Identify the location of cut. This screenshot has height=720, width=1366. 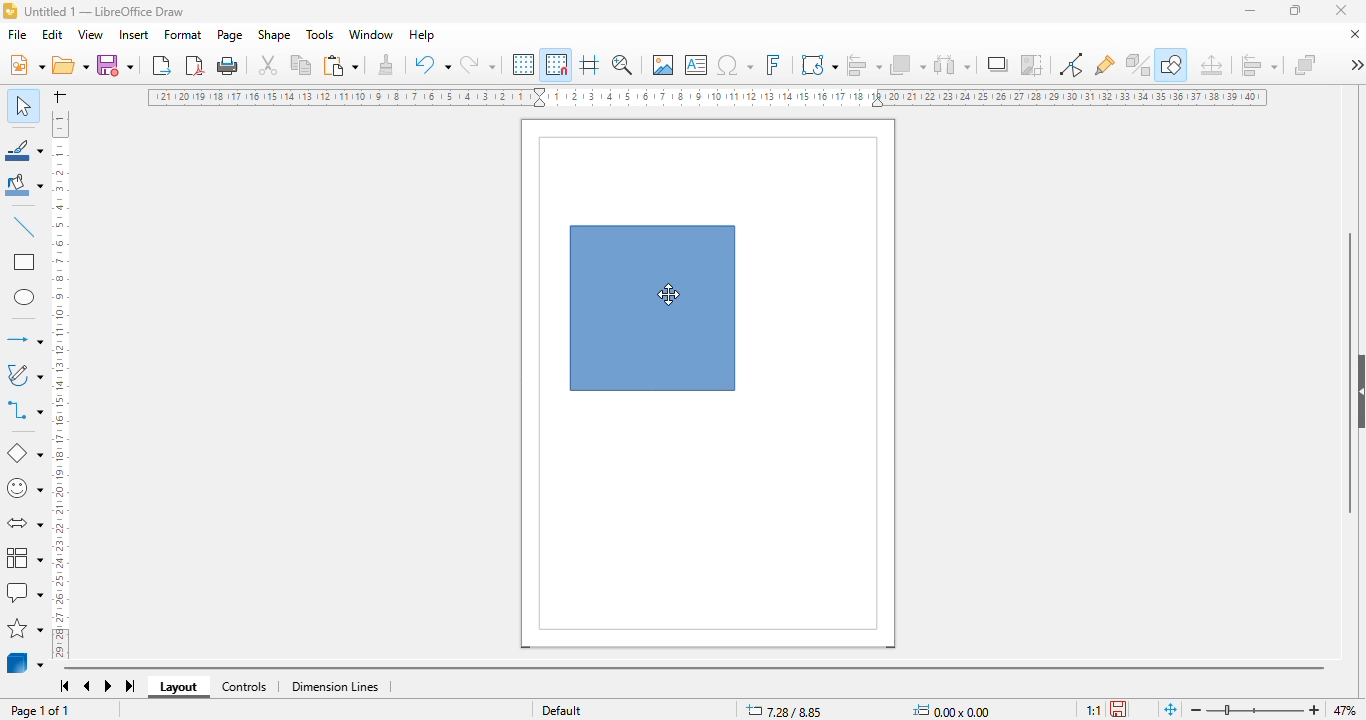
(269, 65).